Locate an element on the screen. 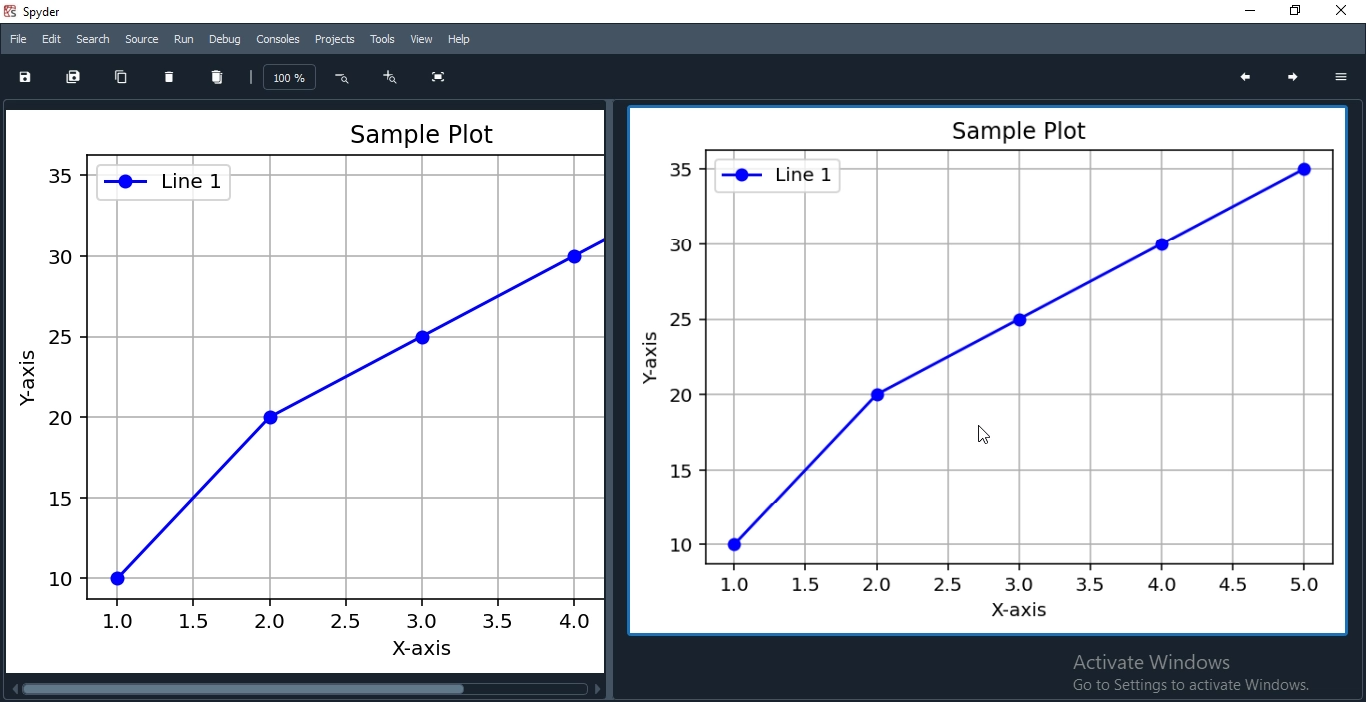 The width and height of the screenshot is (1366, 702). zoom is located at coordinates (291, 77).